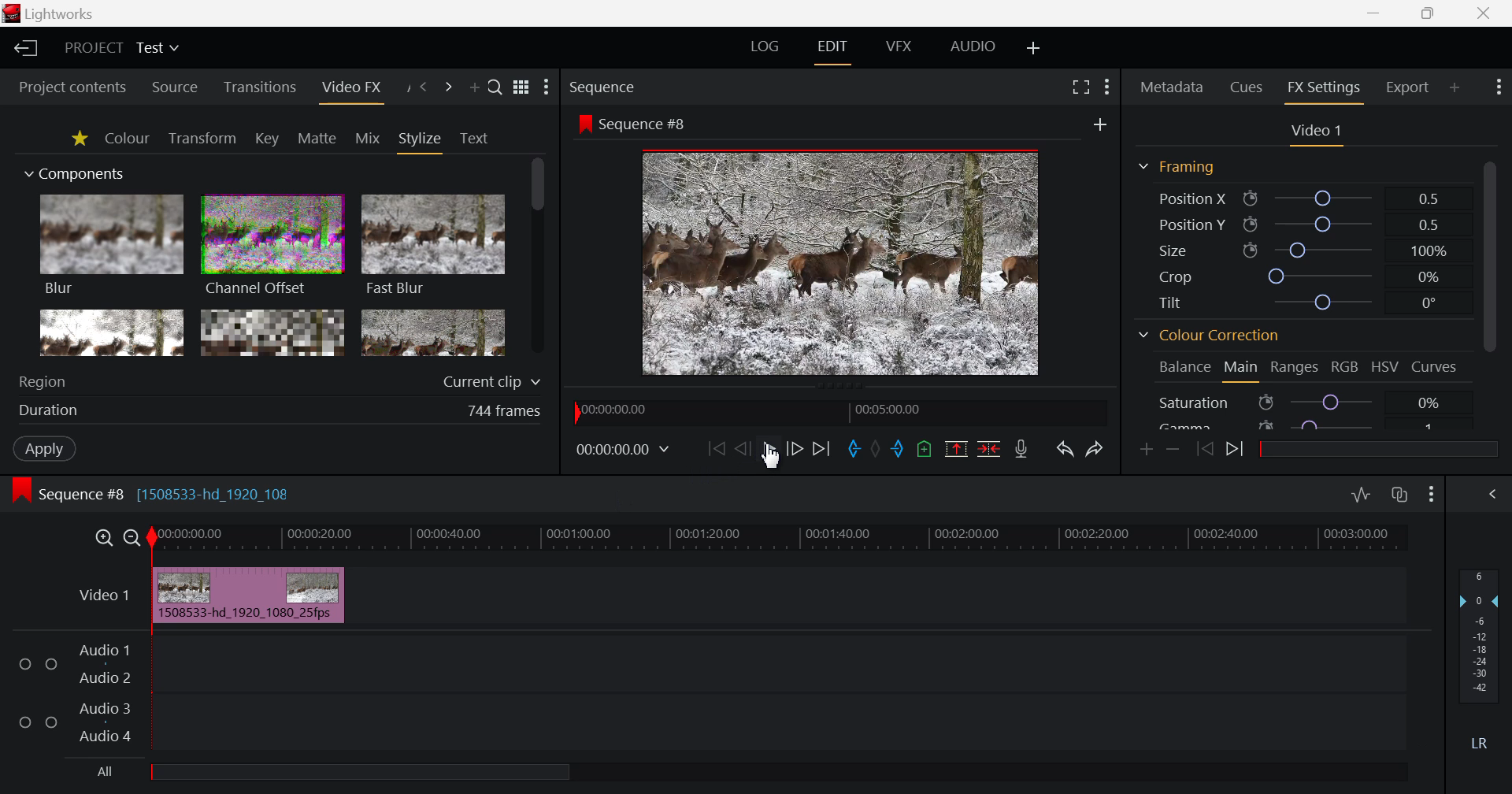  Describe the element at coordinates (259, 88) in the screenshot. I see `Transitions` at that location.